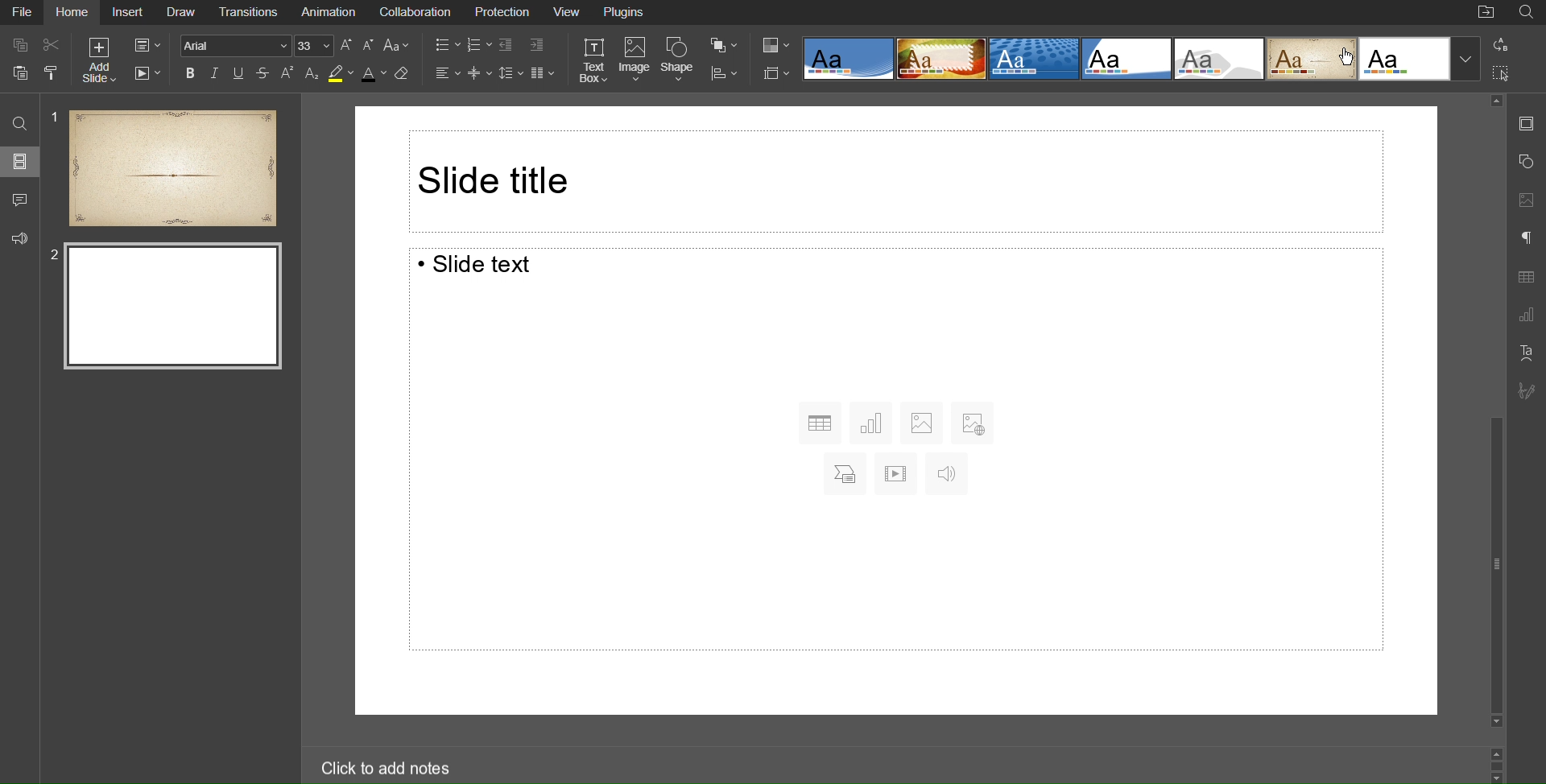 This screenshot has width=1546, height=784. I want to click on Underline, so click(241, 74).